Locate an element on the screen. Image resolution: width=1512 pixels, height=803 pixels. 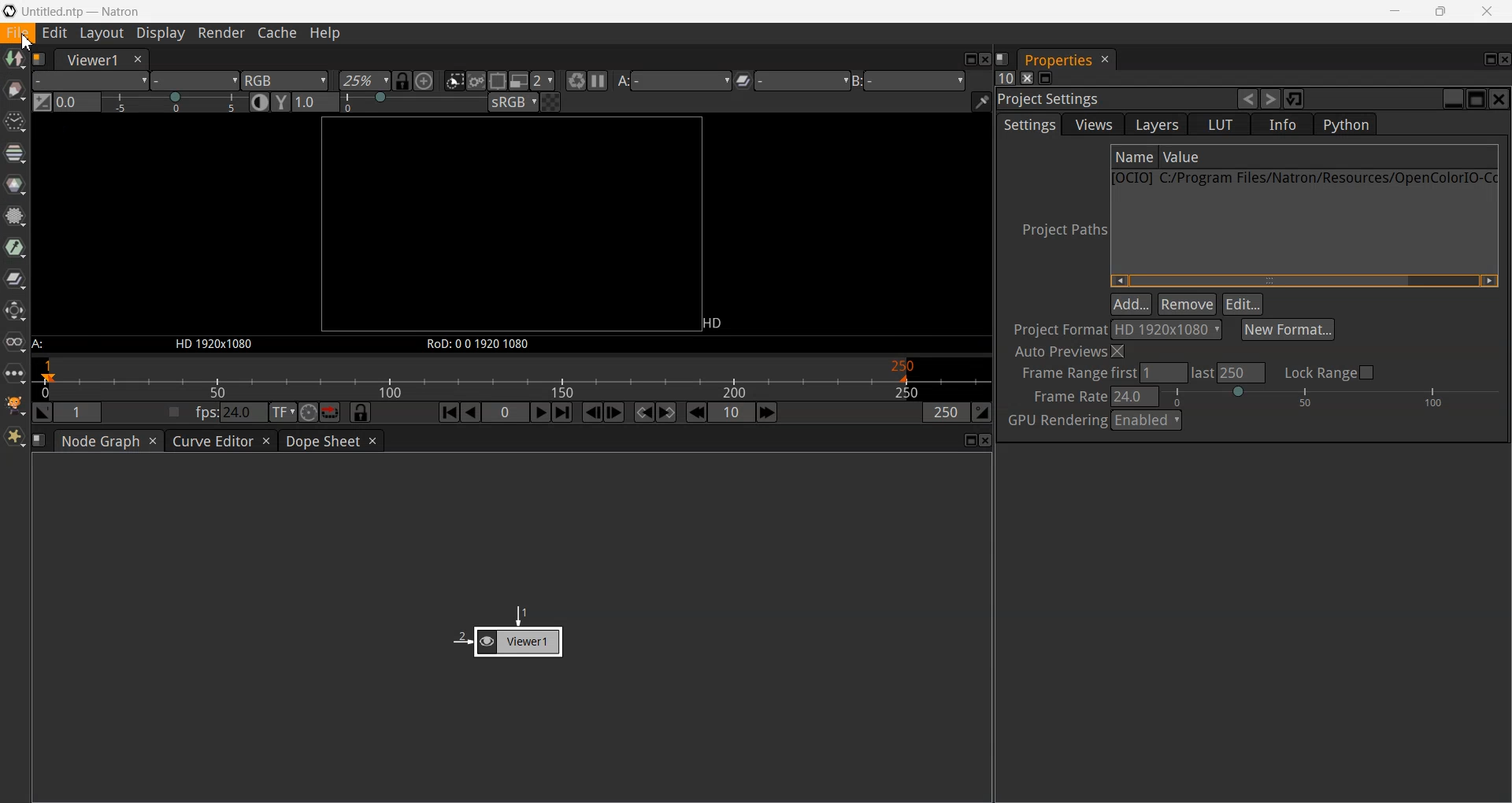
Close panel is located at coordinates (1027, 78).